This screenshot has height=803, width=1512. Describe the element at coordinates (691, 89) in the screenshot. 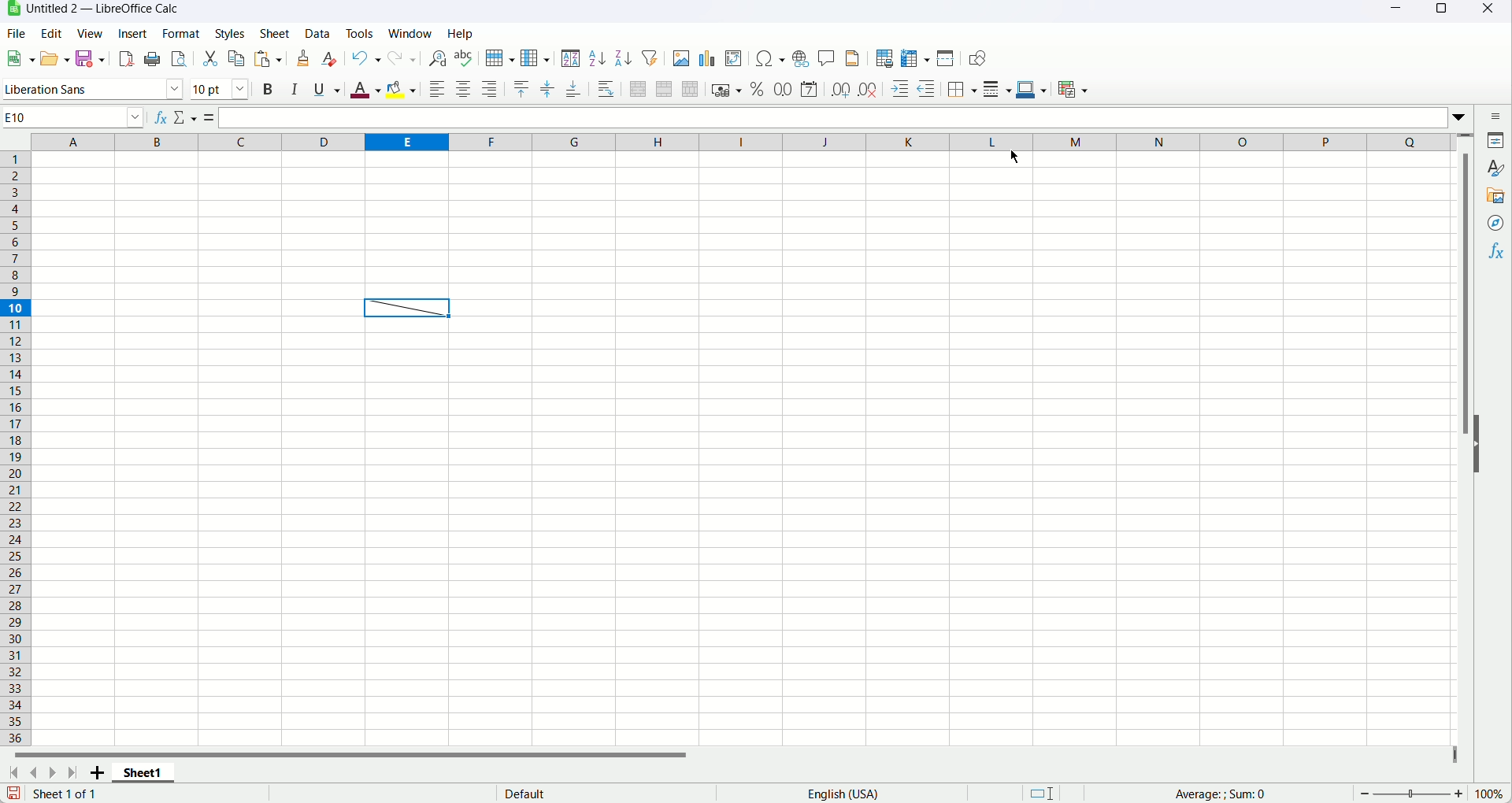

I see `Unmerge cells` at that location.